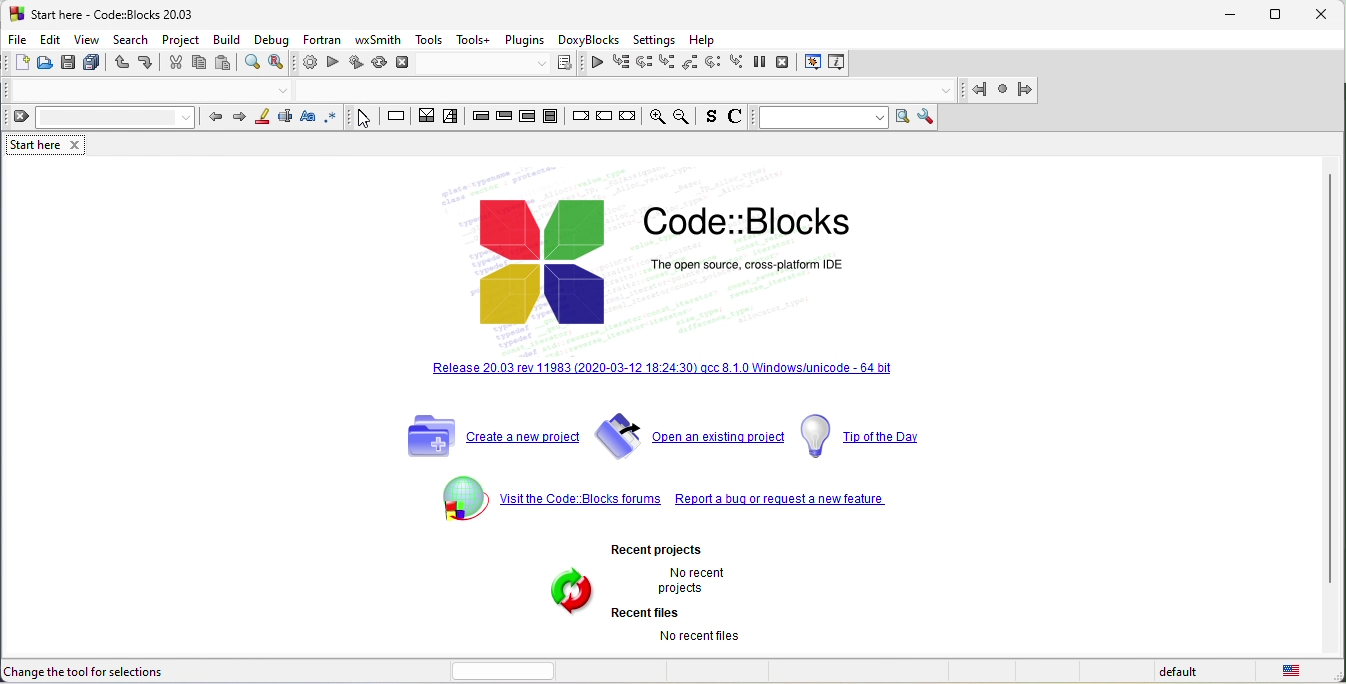 The height and width of the screenshot is (684, 1346). What do you see at coordinates (657, 370) in the screenshot?
I see `release 20.03 rev 11983 [2020-03-12 18.24.30] qcc 8.10 windows /unicode 64 bit` at bounding box center [657, 370].